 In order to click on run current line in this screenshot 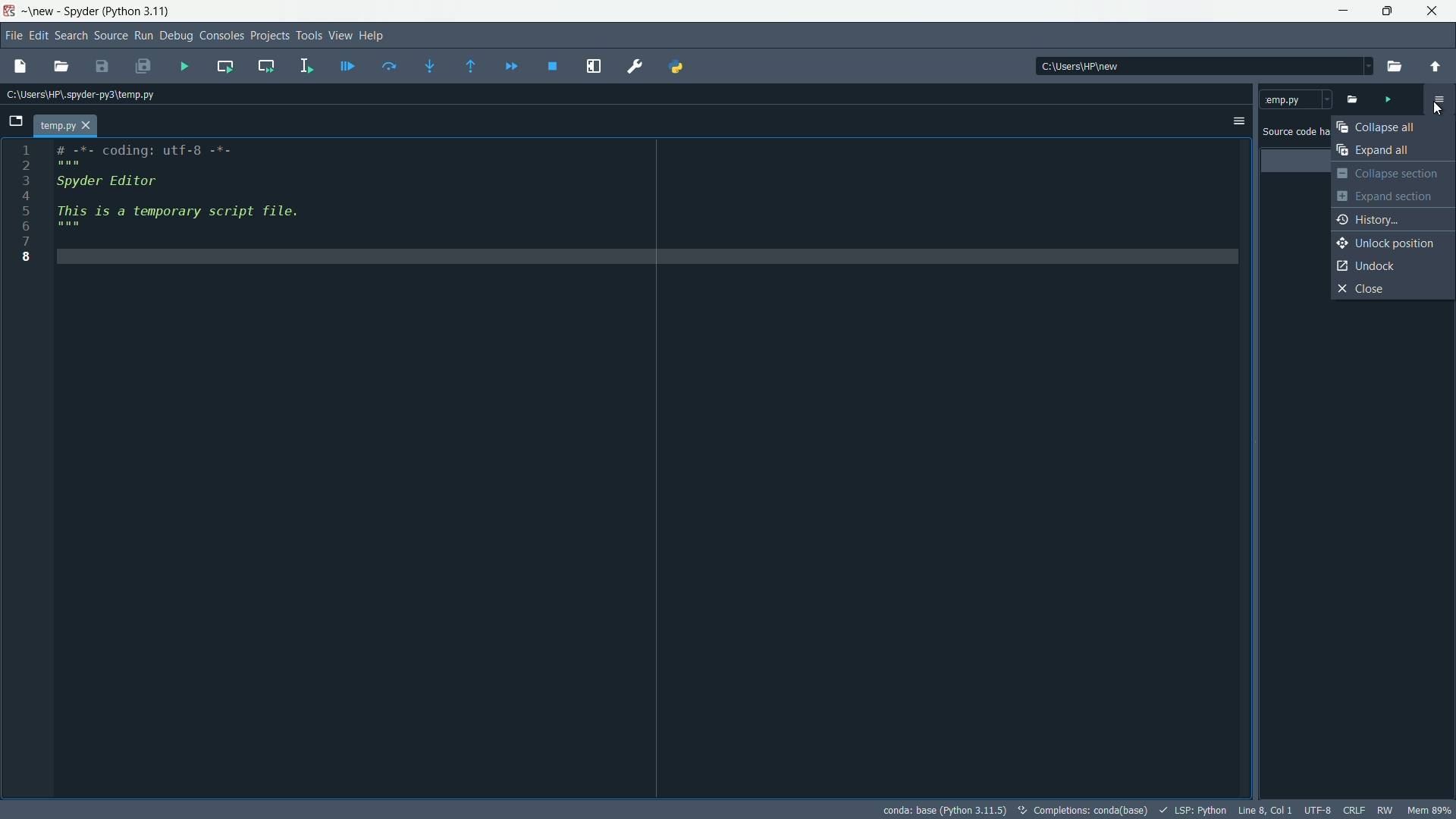, I will do `click(390, 67)`.